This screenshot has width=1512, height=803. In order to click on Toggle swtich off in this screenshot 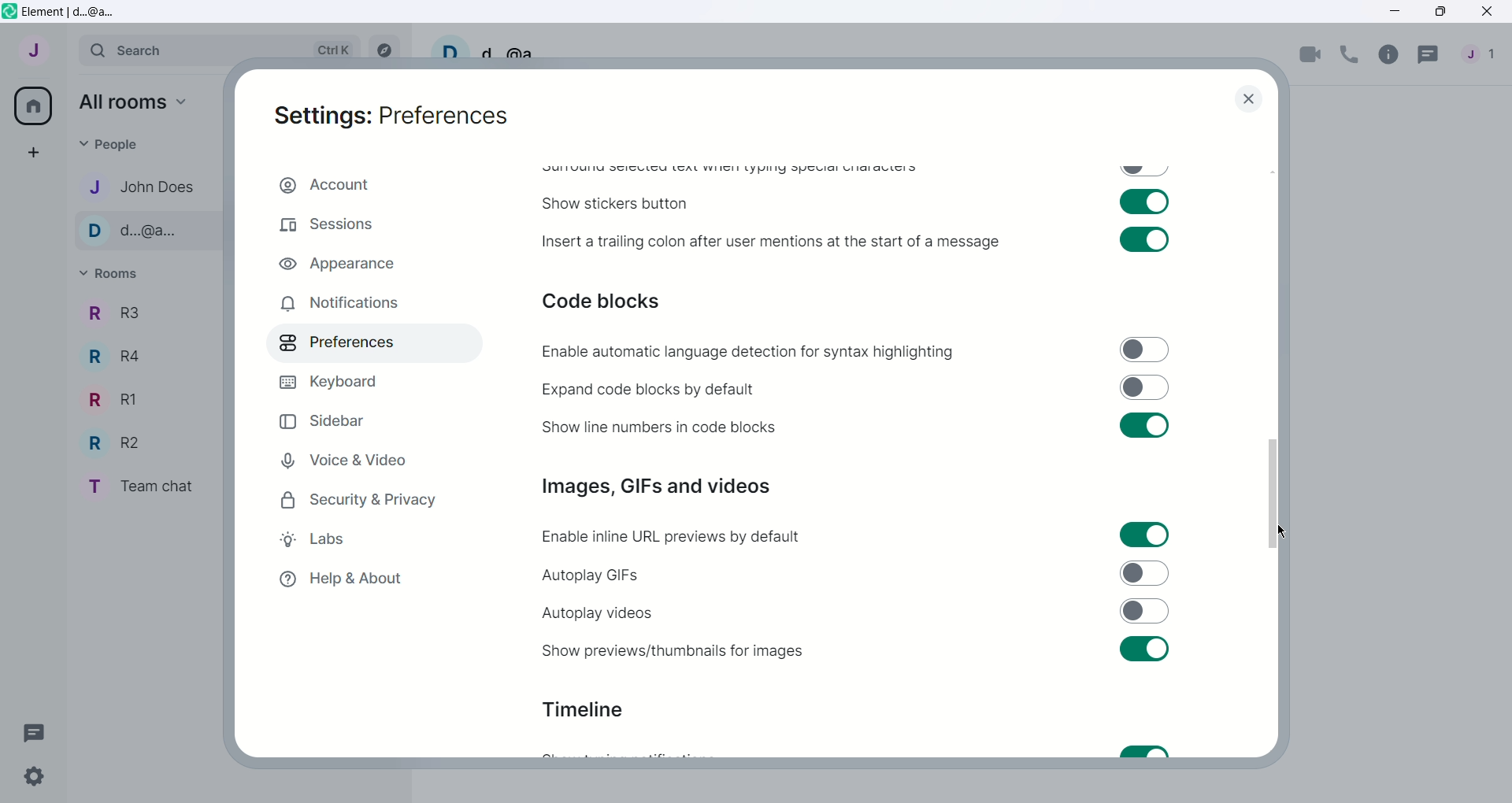, I will do `click(1144, 172)`.